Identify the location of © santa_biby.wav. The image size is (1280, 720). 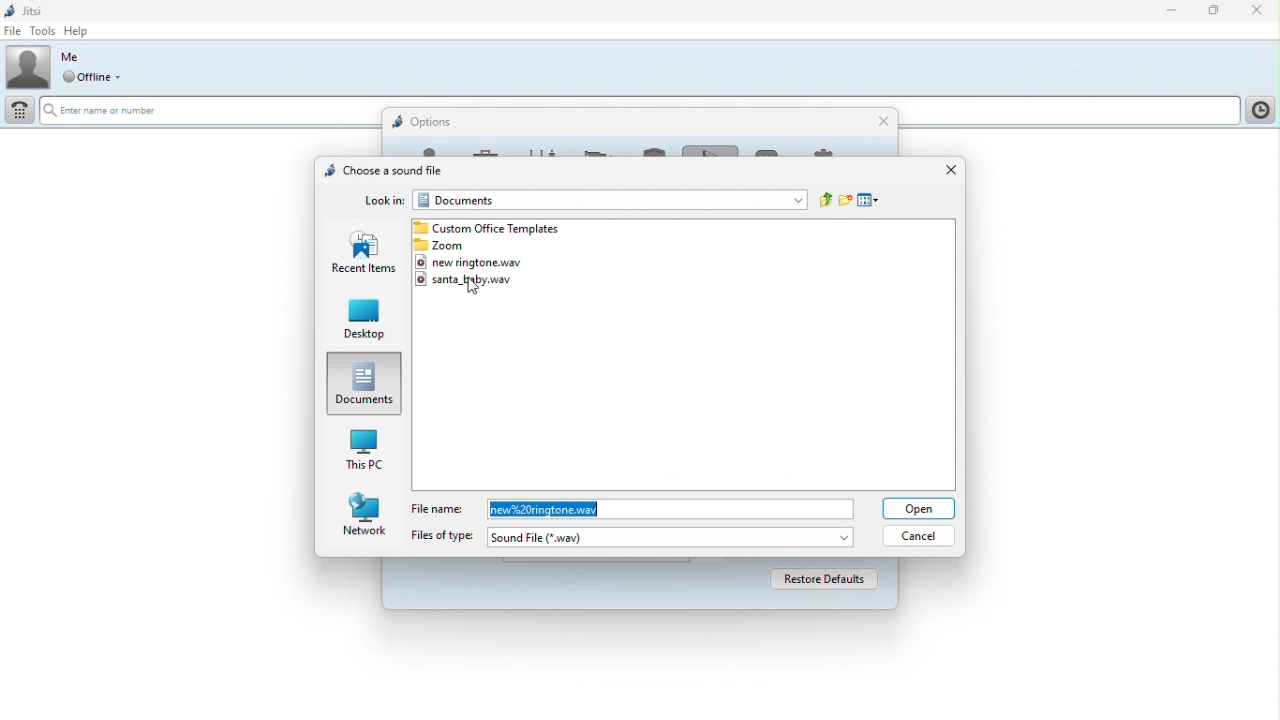
(478, 279).